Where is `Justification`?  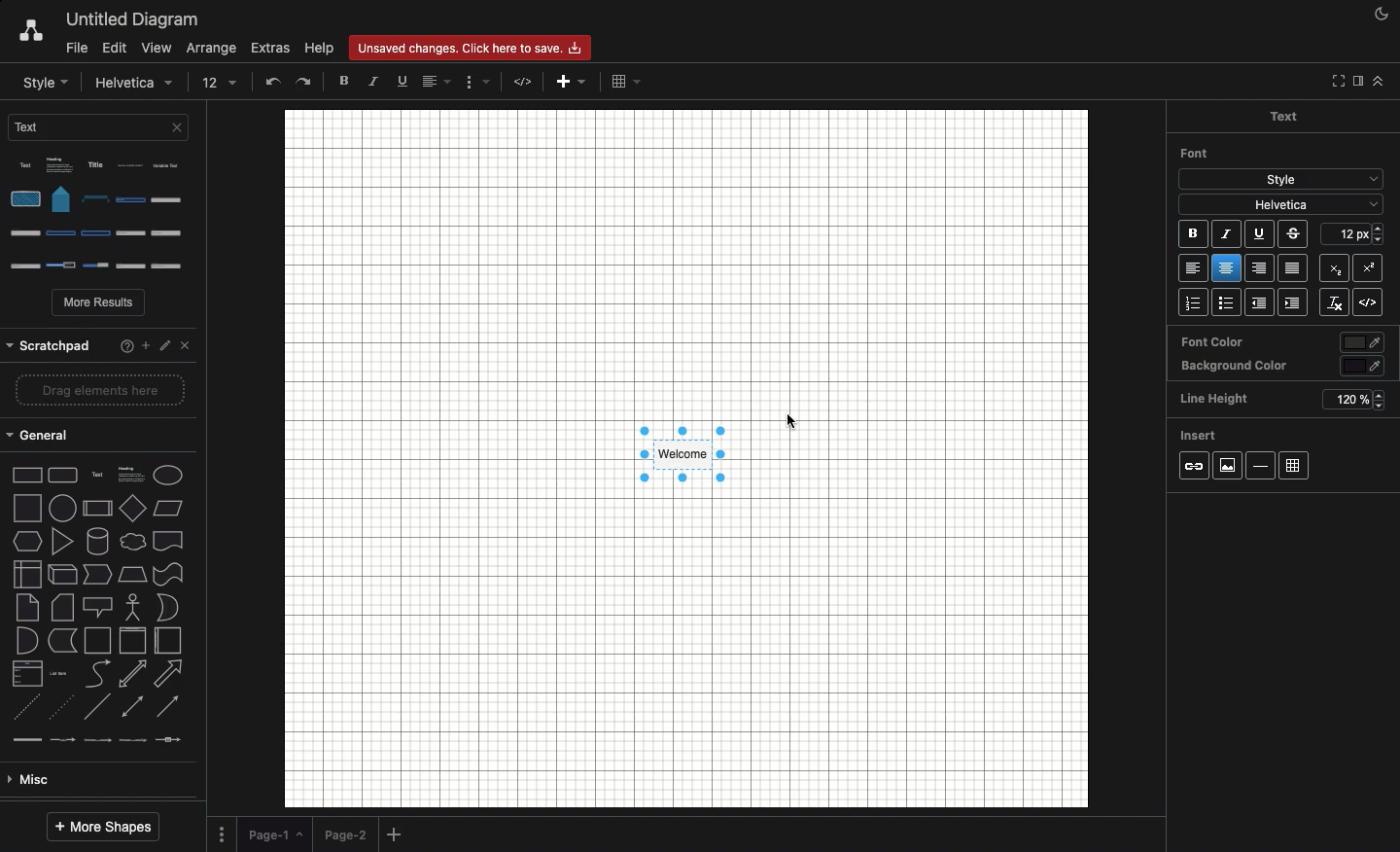
Justification is located at coordinates (1290, 267).